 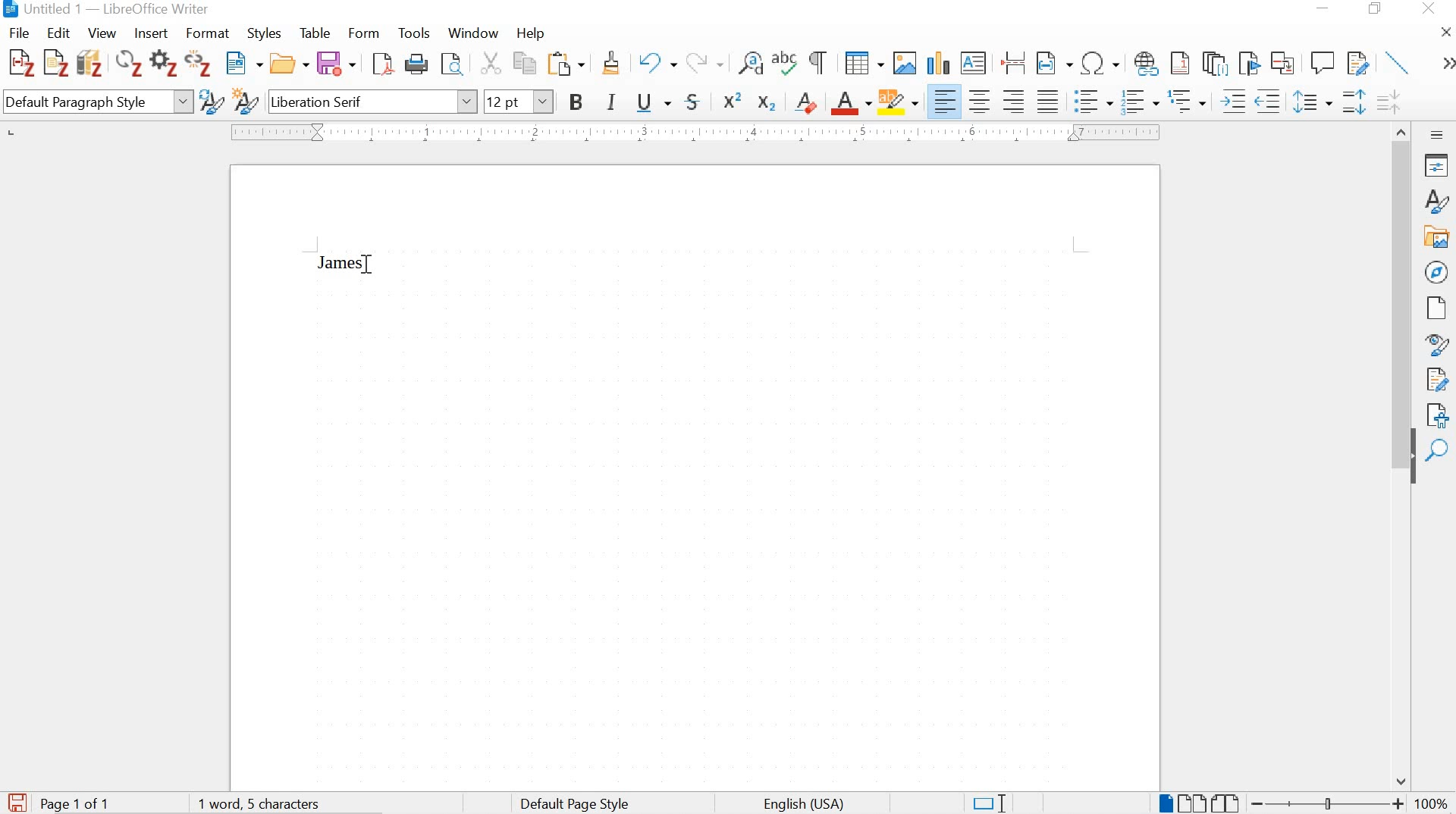 What do you see at coordinates (904, 62) in the screenshot?
I see `insert image` at bounding box center [904, 62].